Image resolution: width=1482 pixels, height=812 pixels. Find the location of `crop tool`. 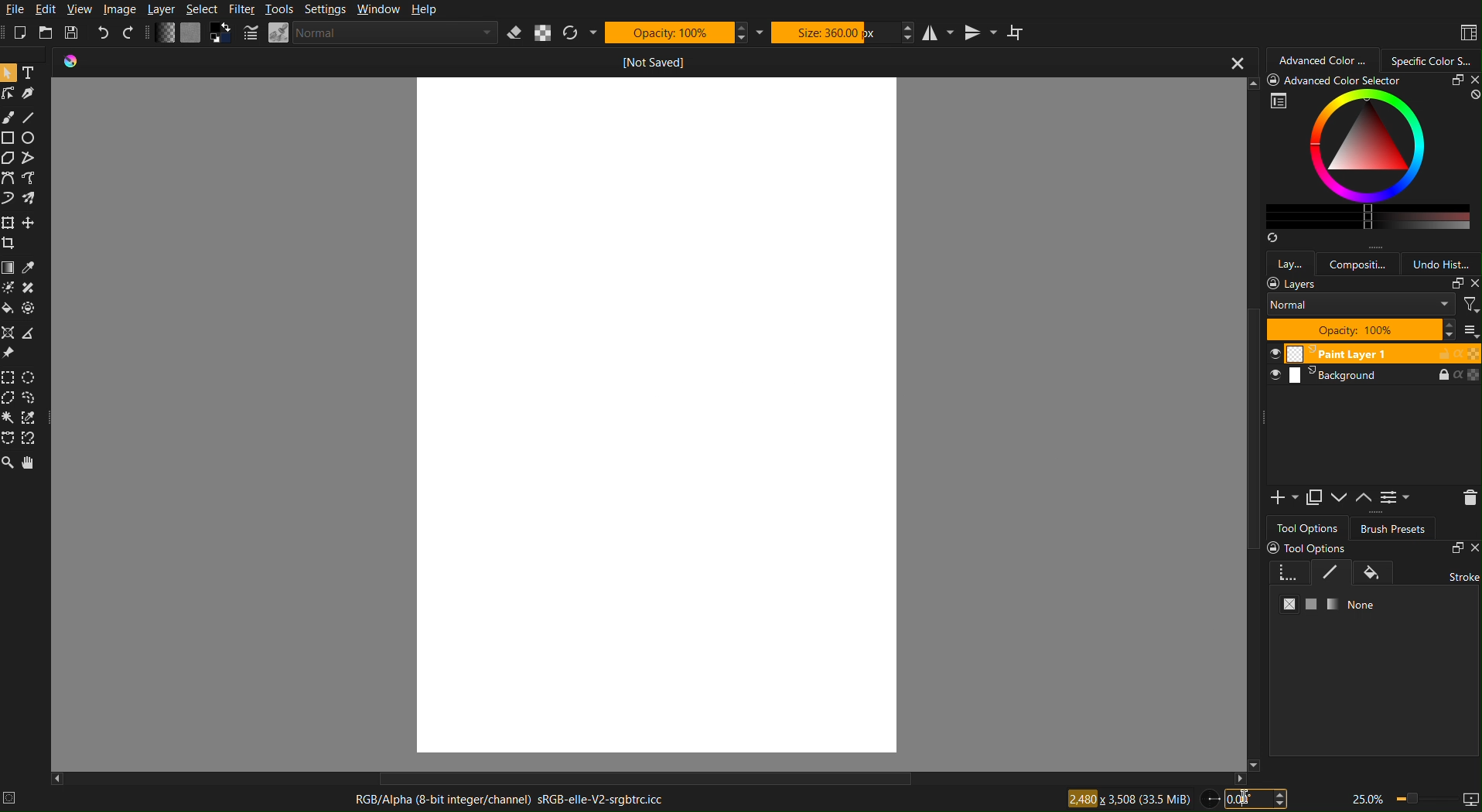

crop tool is located at coordinates (9, 244).